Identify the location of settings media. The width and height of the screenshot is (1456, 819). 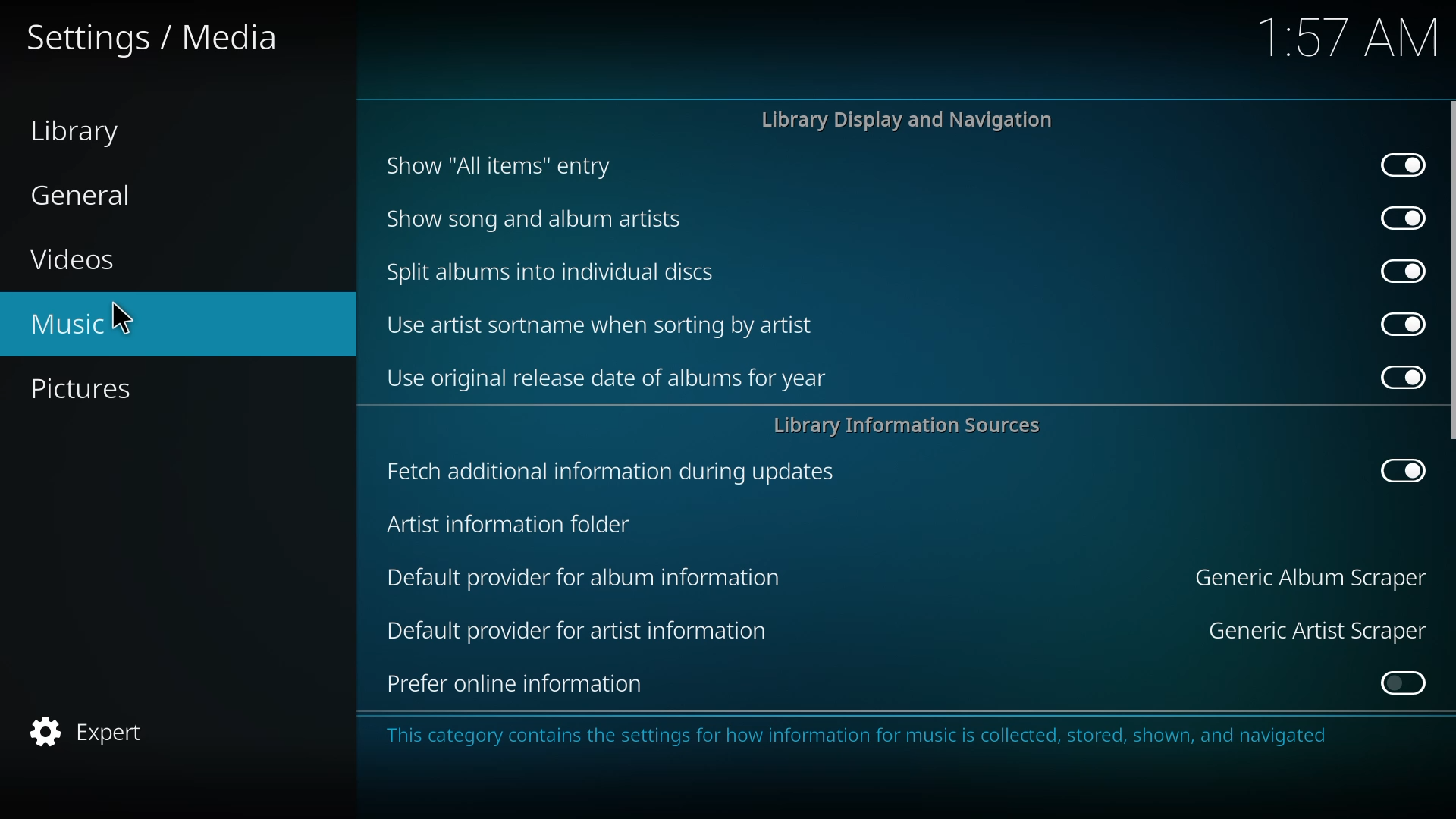
(161, 39).